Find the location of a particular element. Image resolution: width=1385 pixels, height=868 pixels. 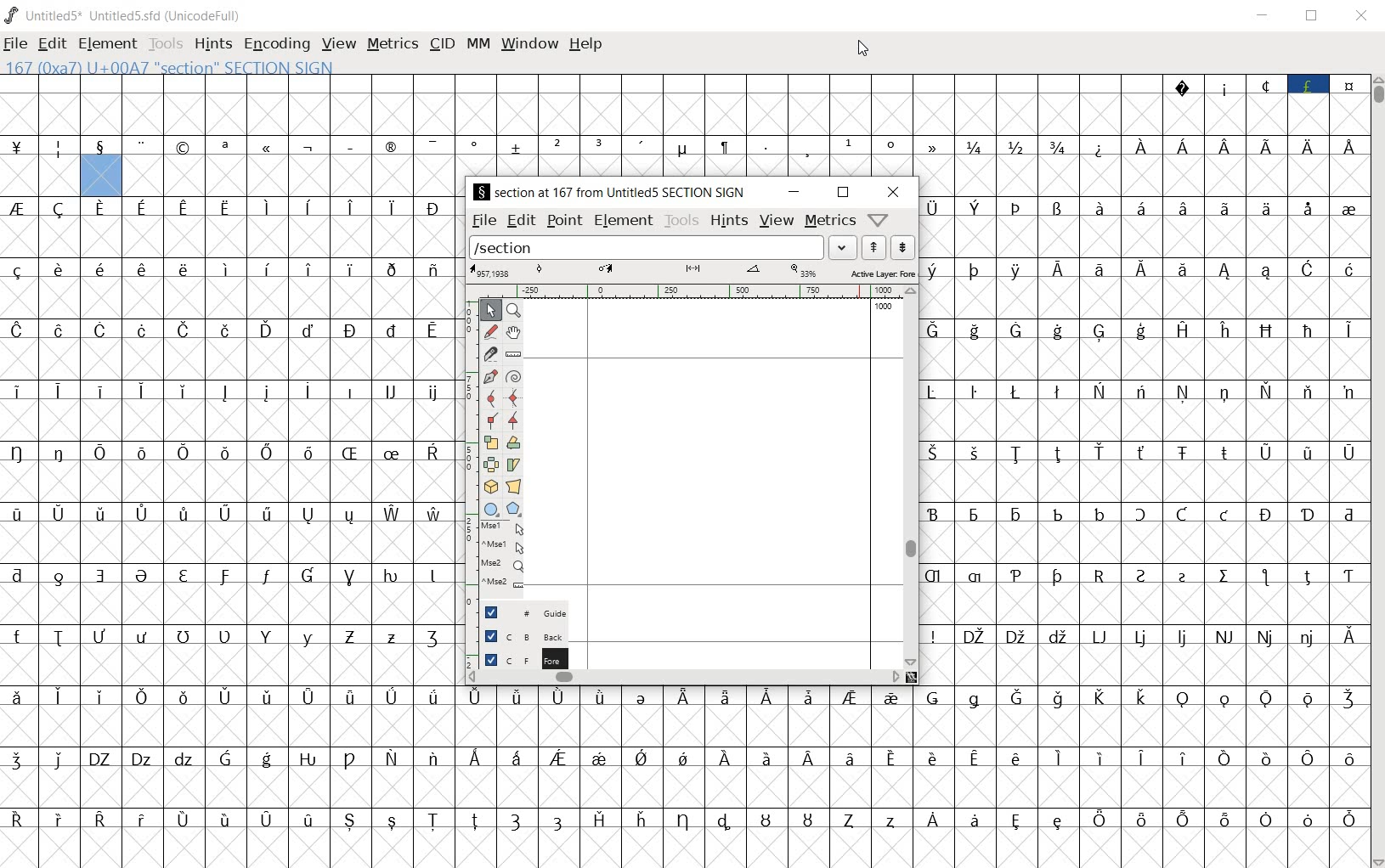

ELEMENT is located at coordinates (108, 44).